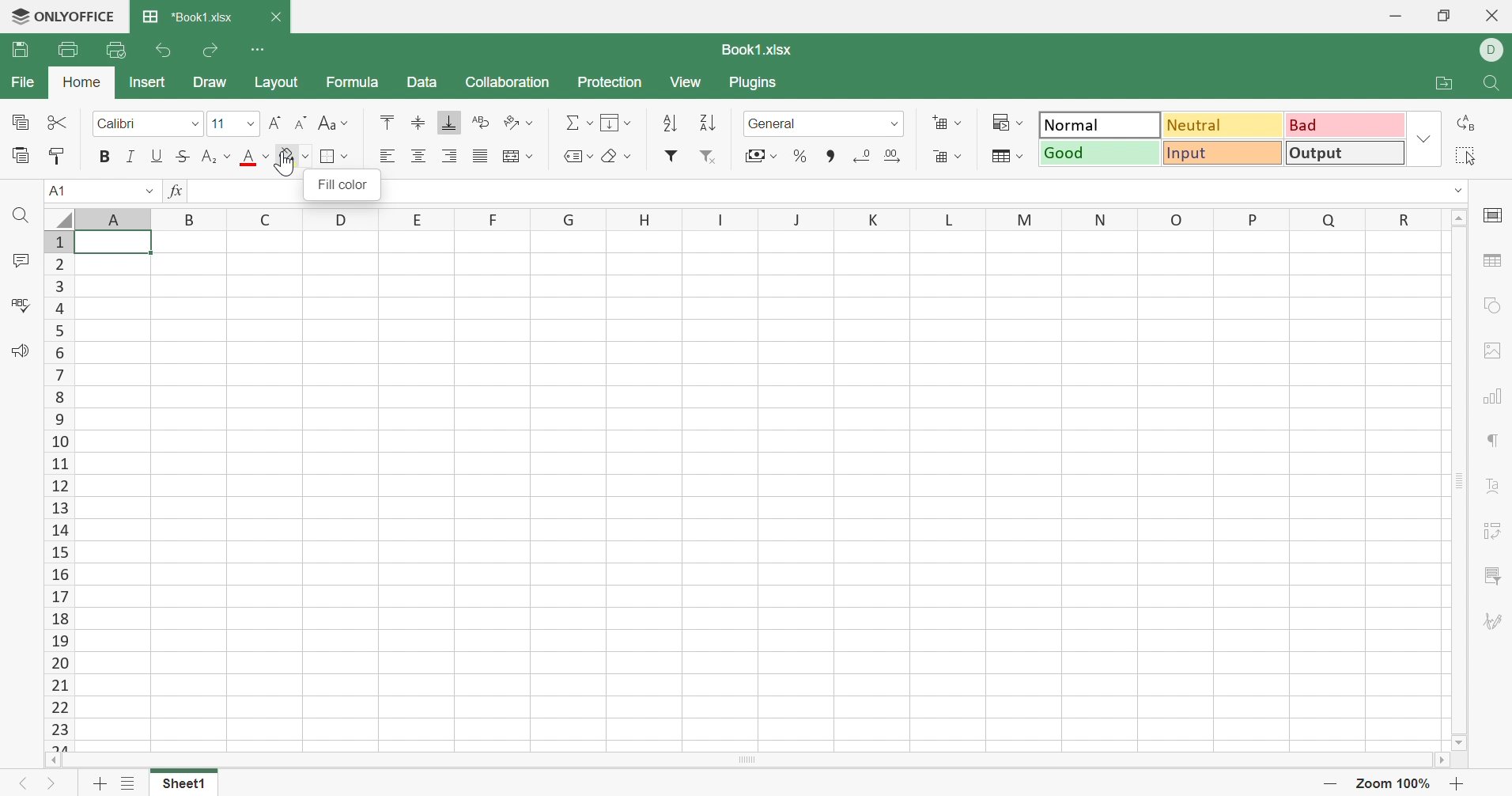 This screenshot has width=1512, height=796. What do you see at coordinates (1495, 533) in the screenshot?
I see `Pivot Table settings` at bounding box center [1495, 533].